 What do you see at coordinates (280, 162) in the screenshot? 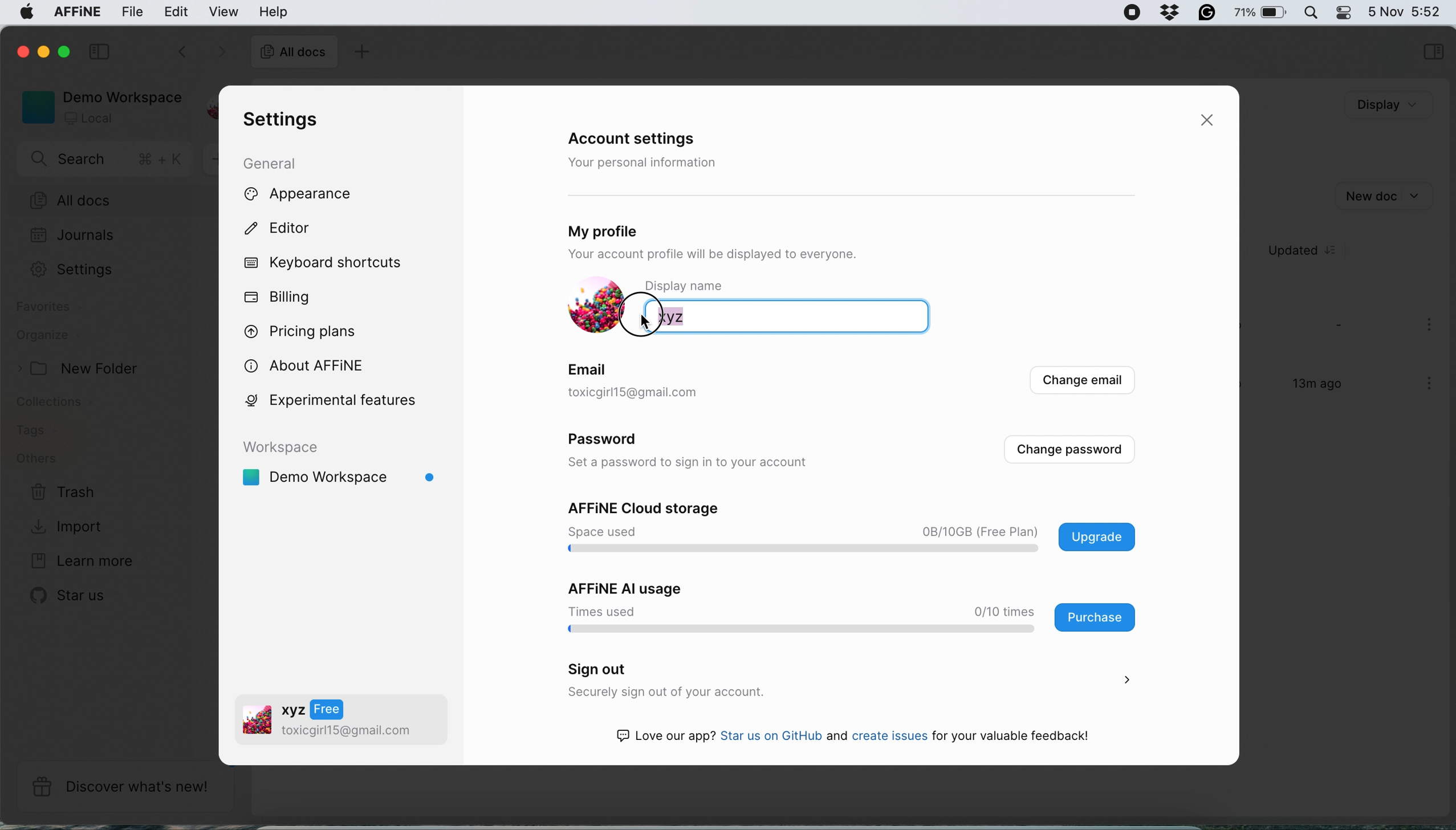
I see `general` at bounding box center [280, 162].